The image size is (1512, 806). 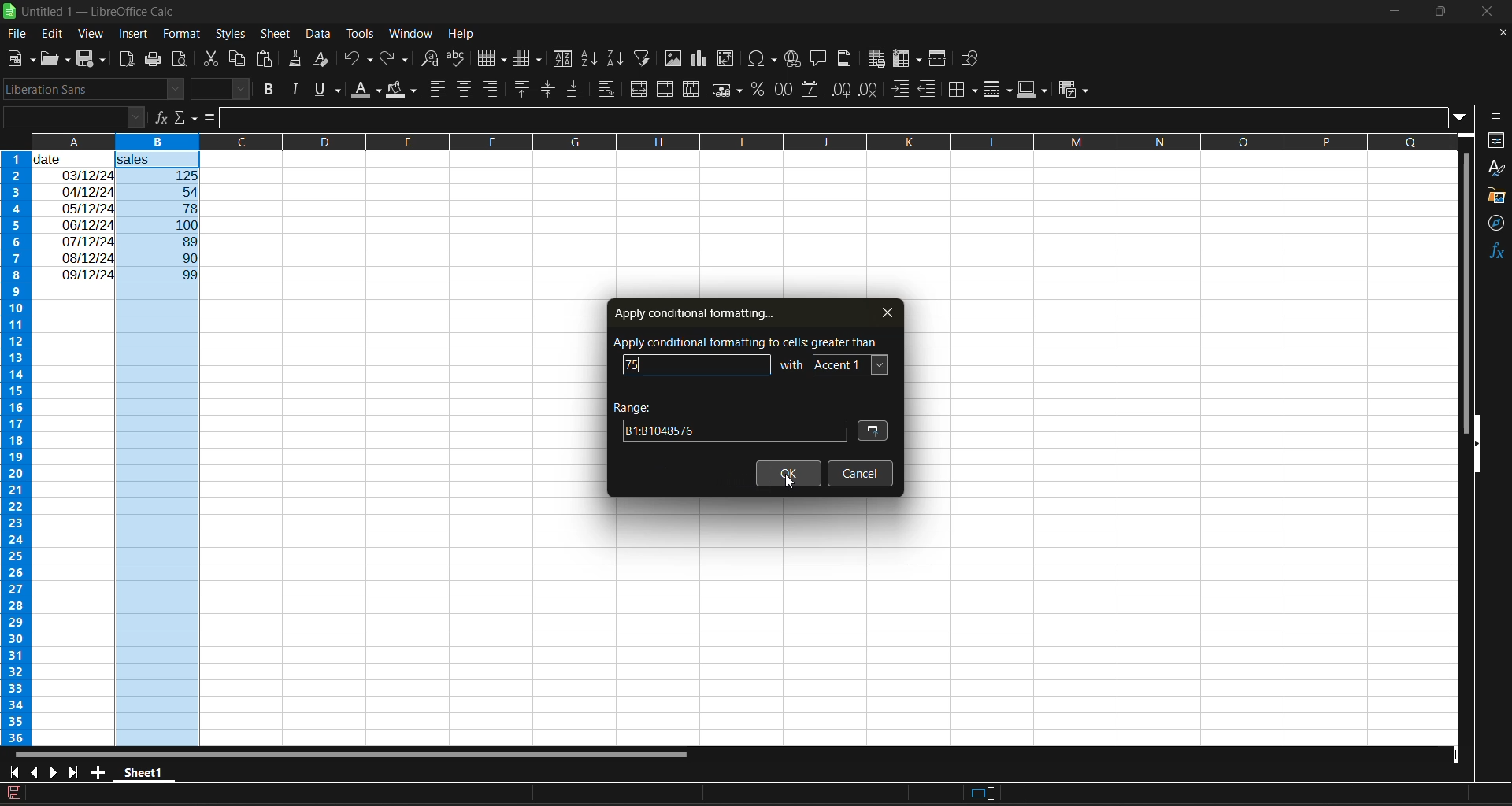 I want to click on merge and center, so click(x=641, y=89).